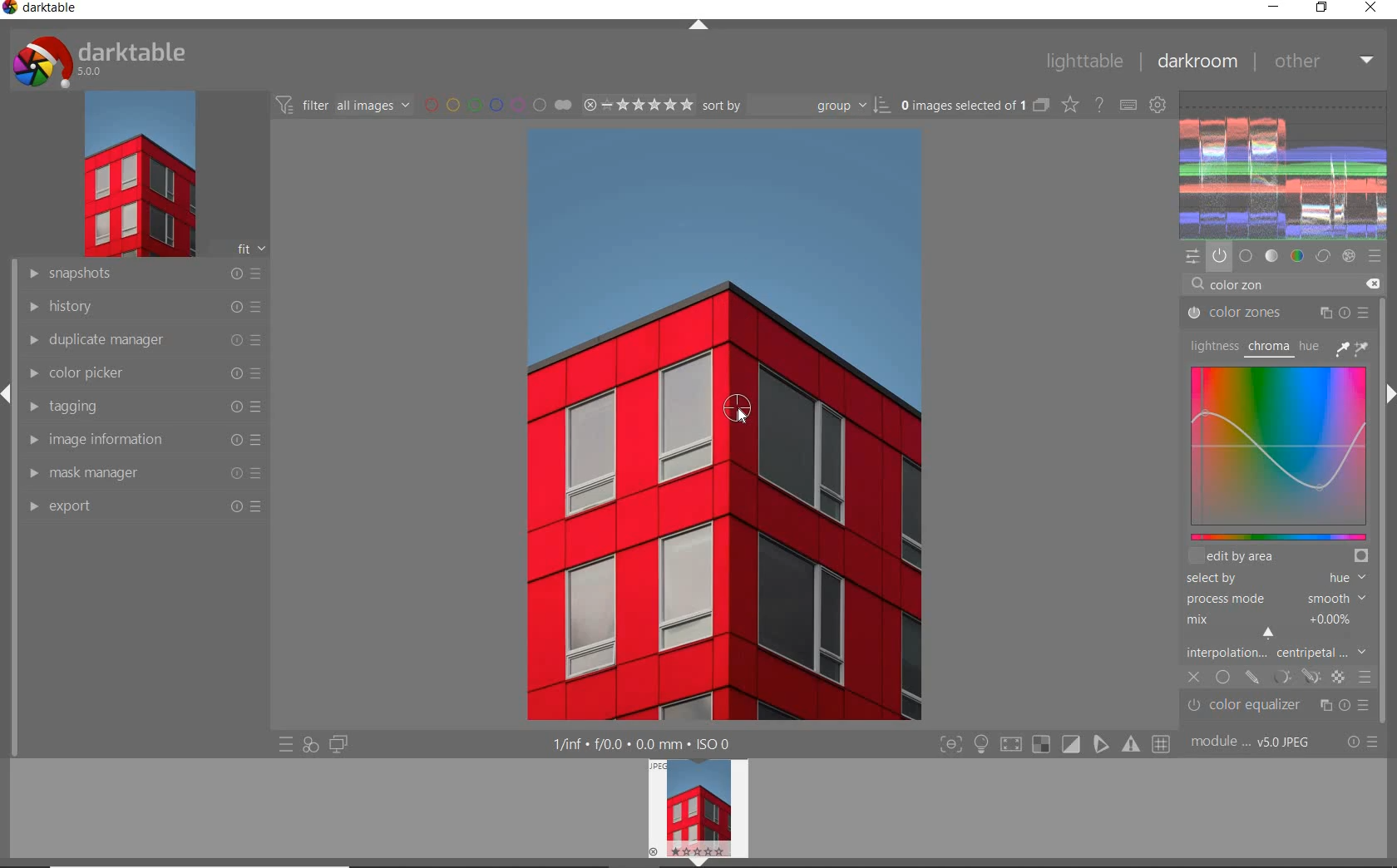 This screenshot has width=1397, height=868. What do you see at coordinates (1274, 8) in the screenshot?
I see `minimize` at bounding box center [1274, 8].